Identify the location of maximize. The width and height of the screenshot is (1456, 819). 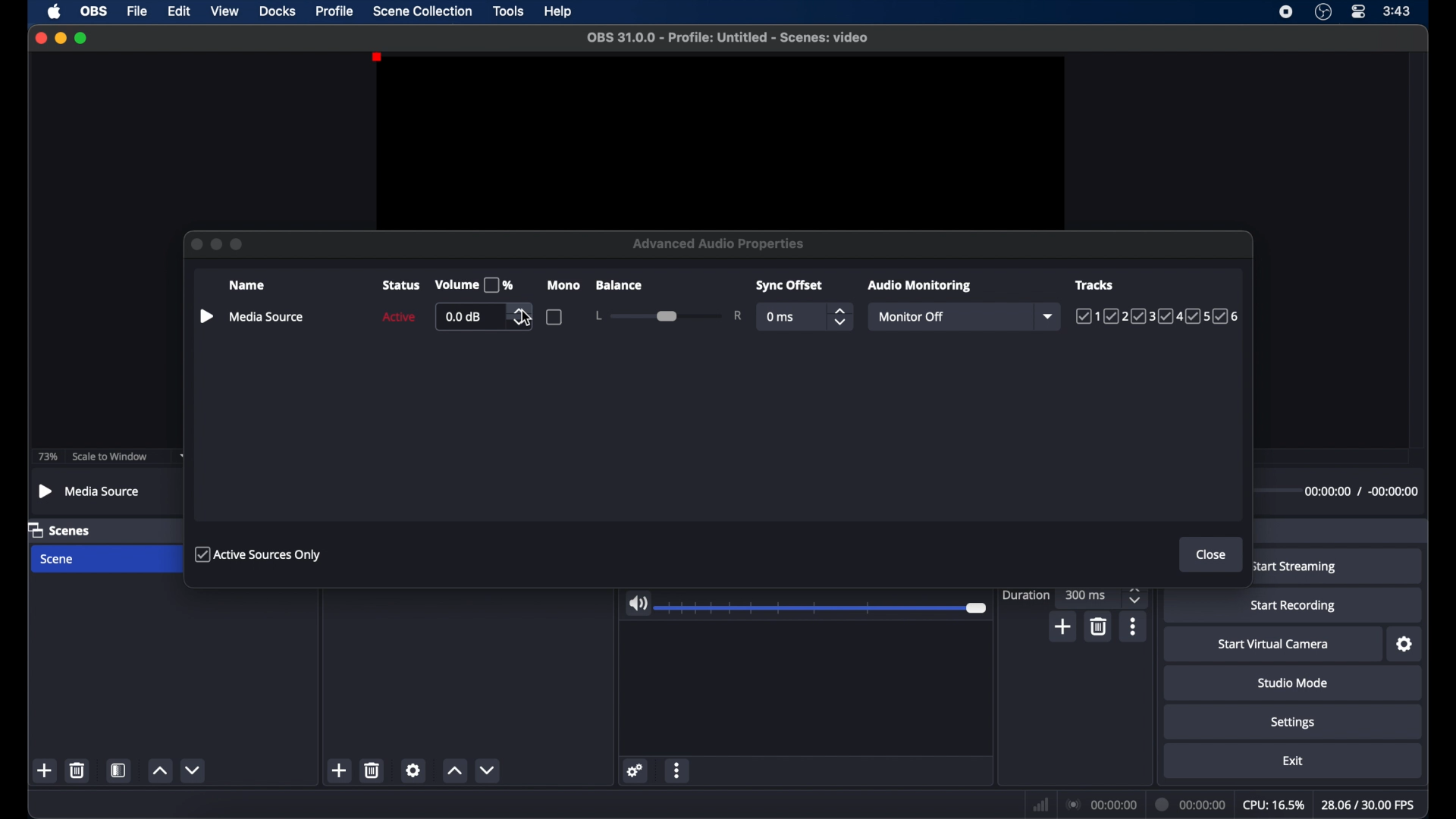
(83, 38).